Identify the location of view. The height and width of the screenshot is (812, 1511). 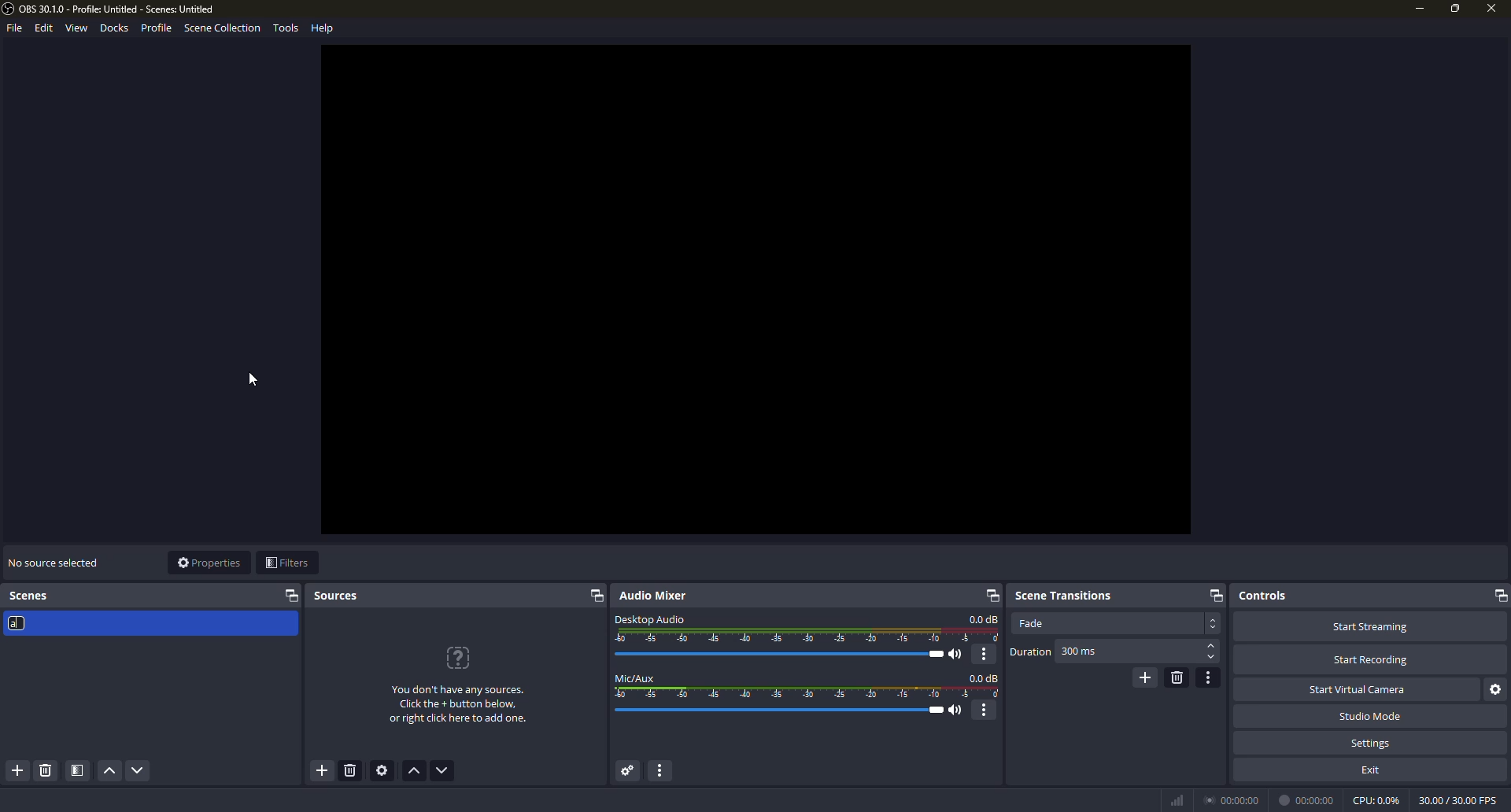
(76, 28).